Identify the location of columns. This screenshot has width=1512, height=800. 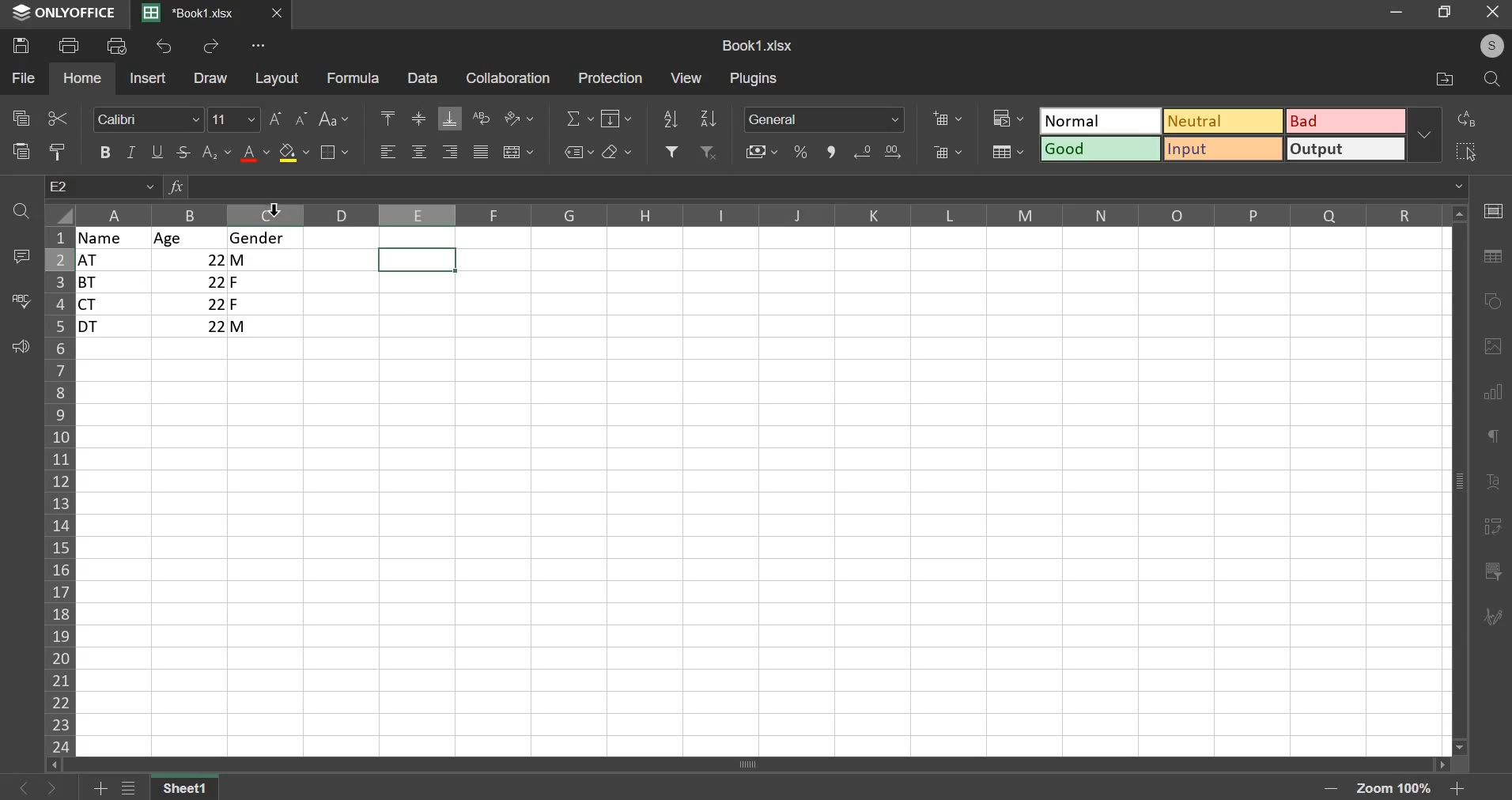
(763, 213).